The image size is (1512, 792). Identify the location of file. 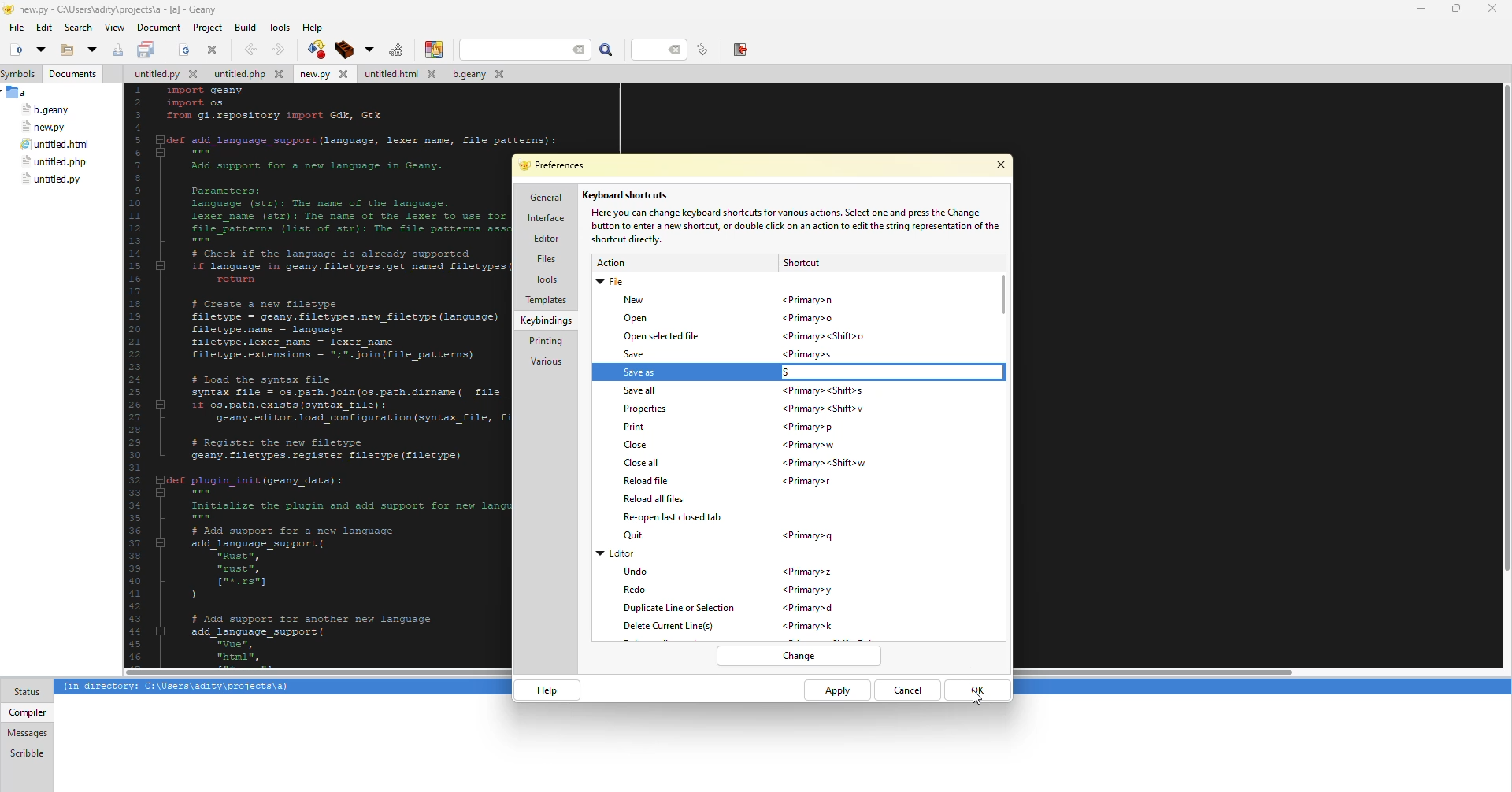
(17, 28).